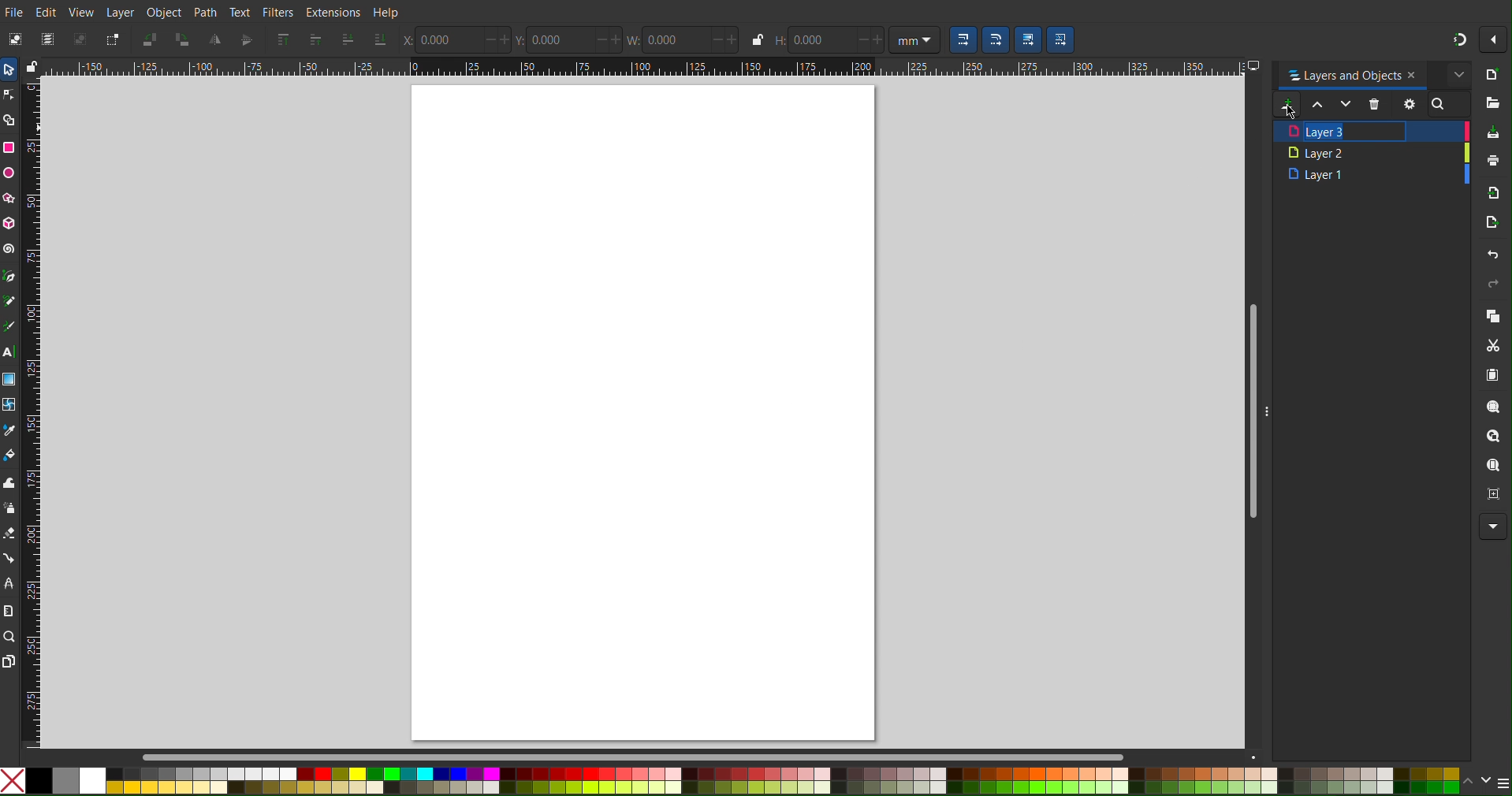 The height and width of the screenshot is (796, 1512). What do you see at coordinates (1372, 152) in the screenshot?
I see `Layer 2` at bounding box center [1372, 152].